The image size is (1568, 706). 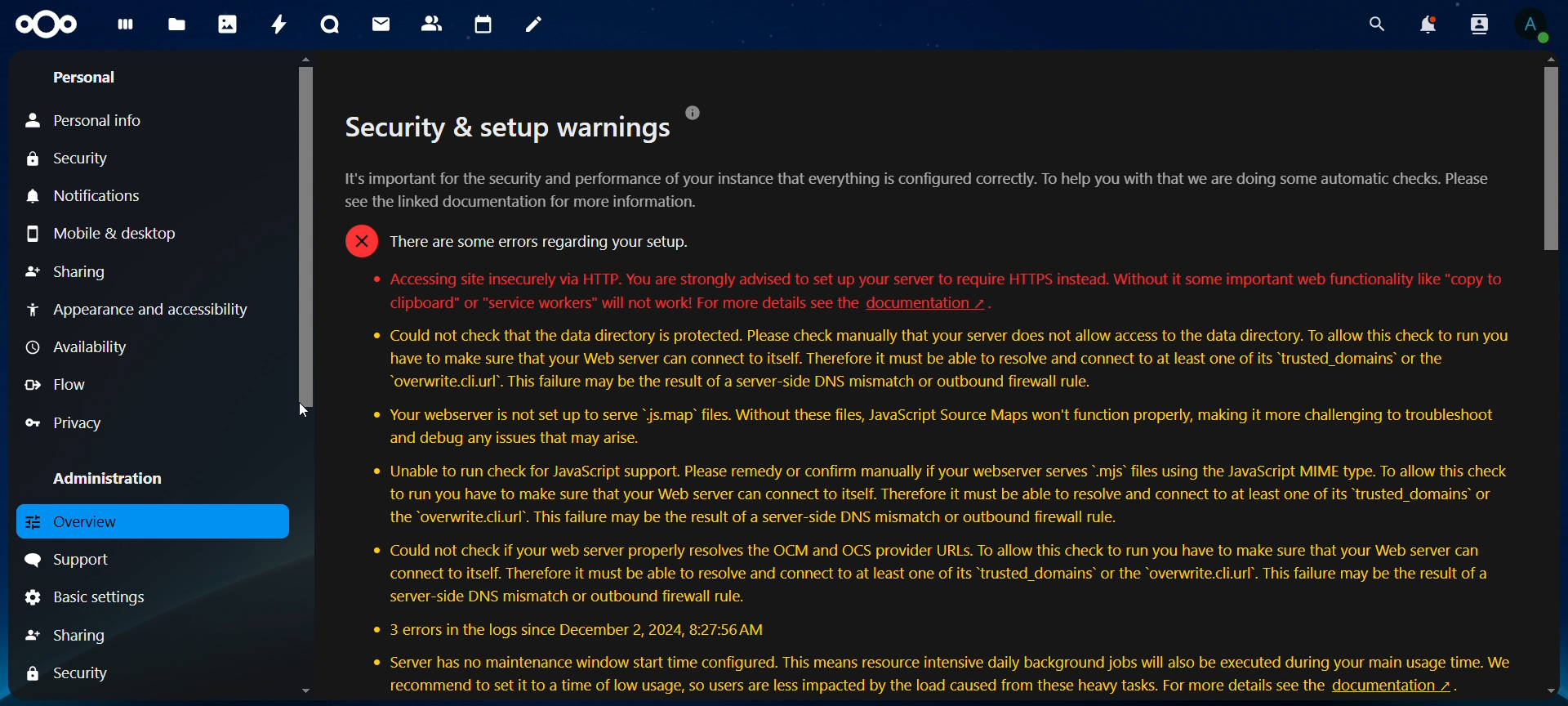 I want to click on calendar, so click(x=484, y=25).